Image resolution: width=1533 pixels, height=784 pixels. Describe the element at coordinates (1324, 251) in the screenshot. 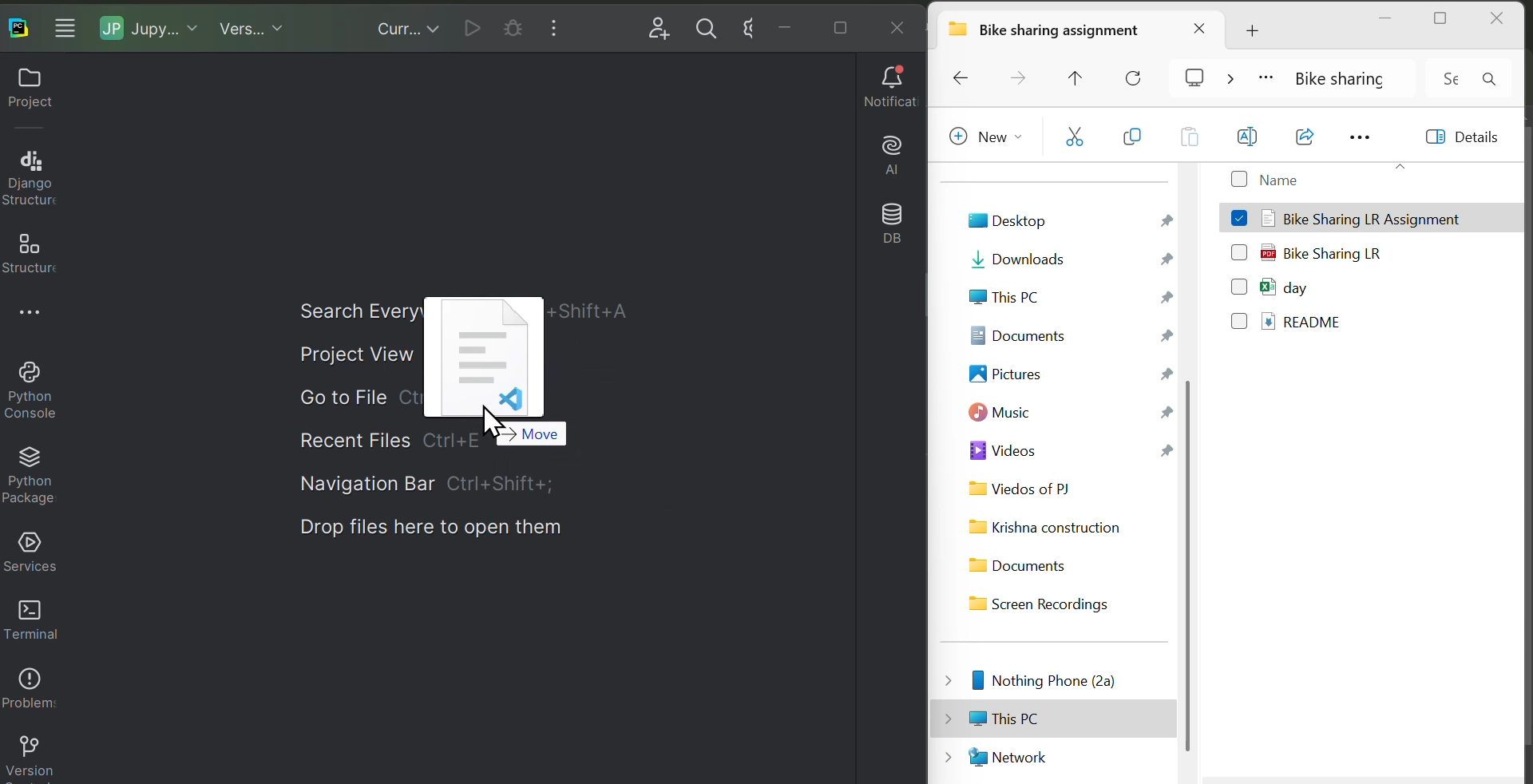

I see `Bike Sharing LR` at that location.